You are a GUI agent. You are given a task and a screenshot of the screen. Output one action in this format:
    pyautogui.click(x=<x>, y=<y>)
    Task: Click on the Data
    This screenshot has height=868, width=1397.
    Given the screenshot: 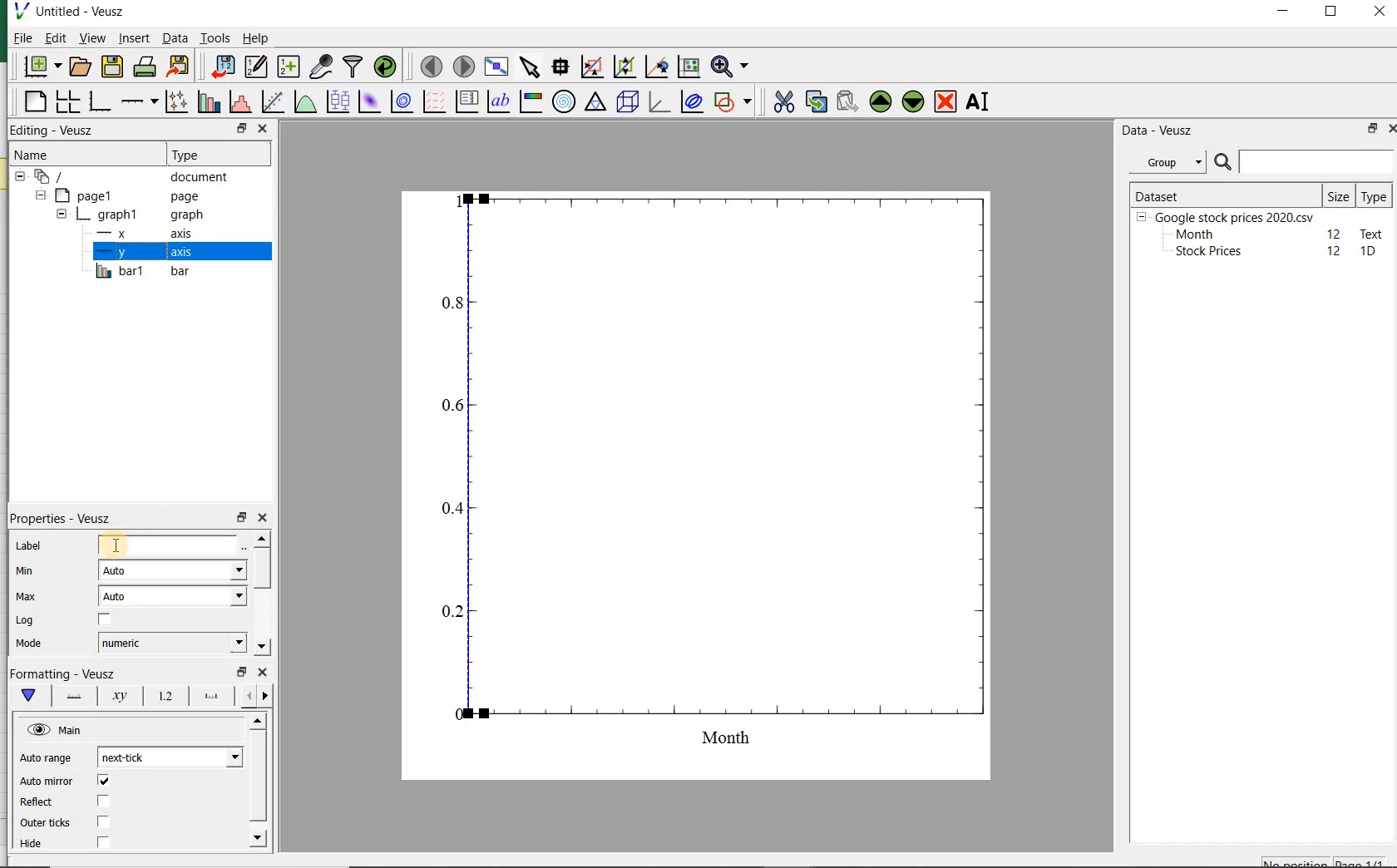 What is the action you would take?
    pyautogui.click(x=175, y=40)
    